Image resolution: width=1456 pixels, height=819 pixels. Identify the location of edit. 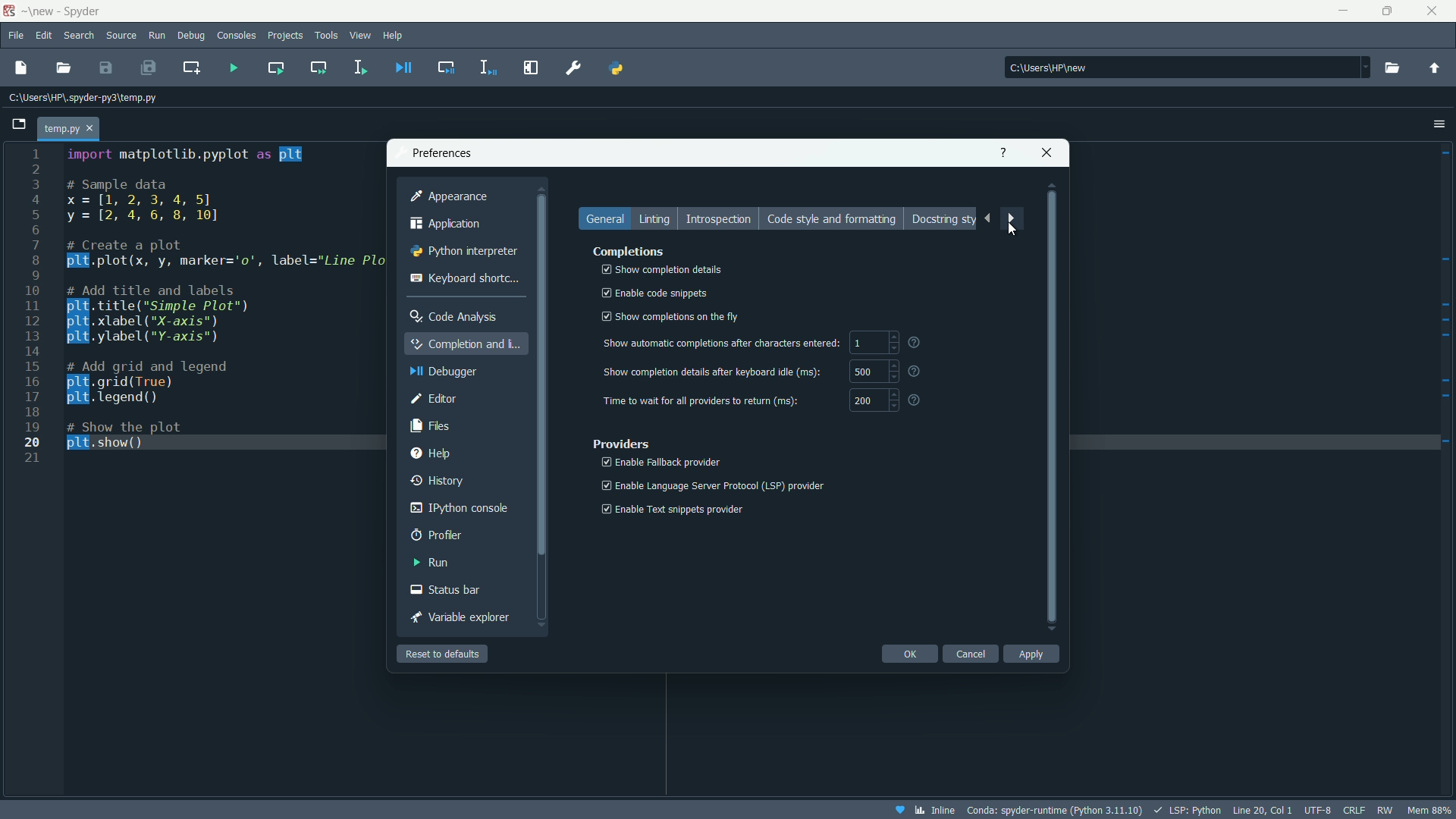
(44, 36).